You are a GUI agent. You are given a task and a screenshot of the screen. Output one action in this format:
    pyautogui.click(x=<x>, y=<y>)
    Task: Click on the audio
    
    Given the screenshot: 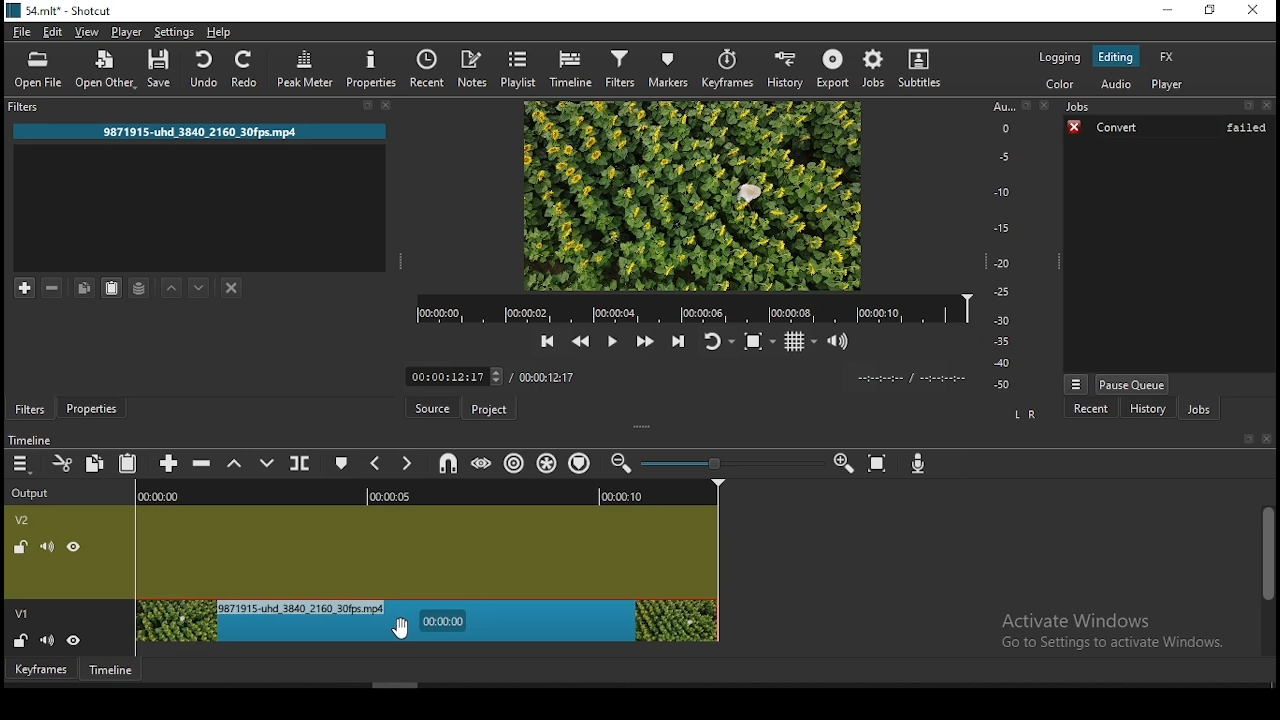 What is the action you would take?
    pyautogui.click(x=1117, y=85)
    